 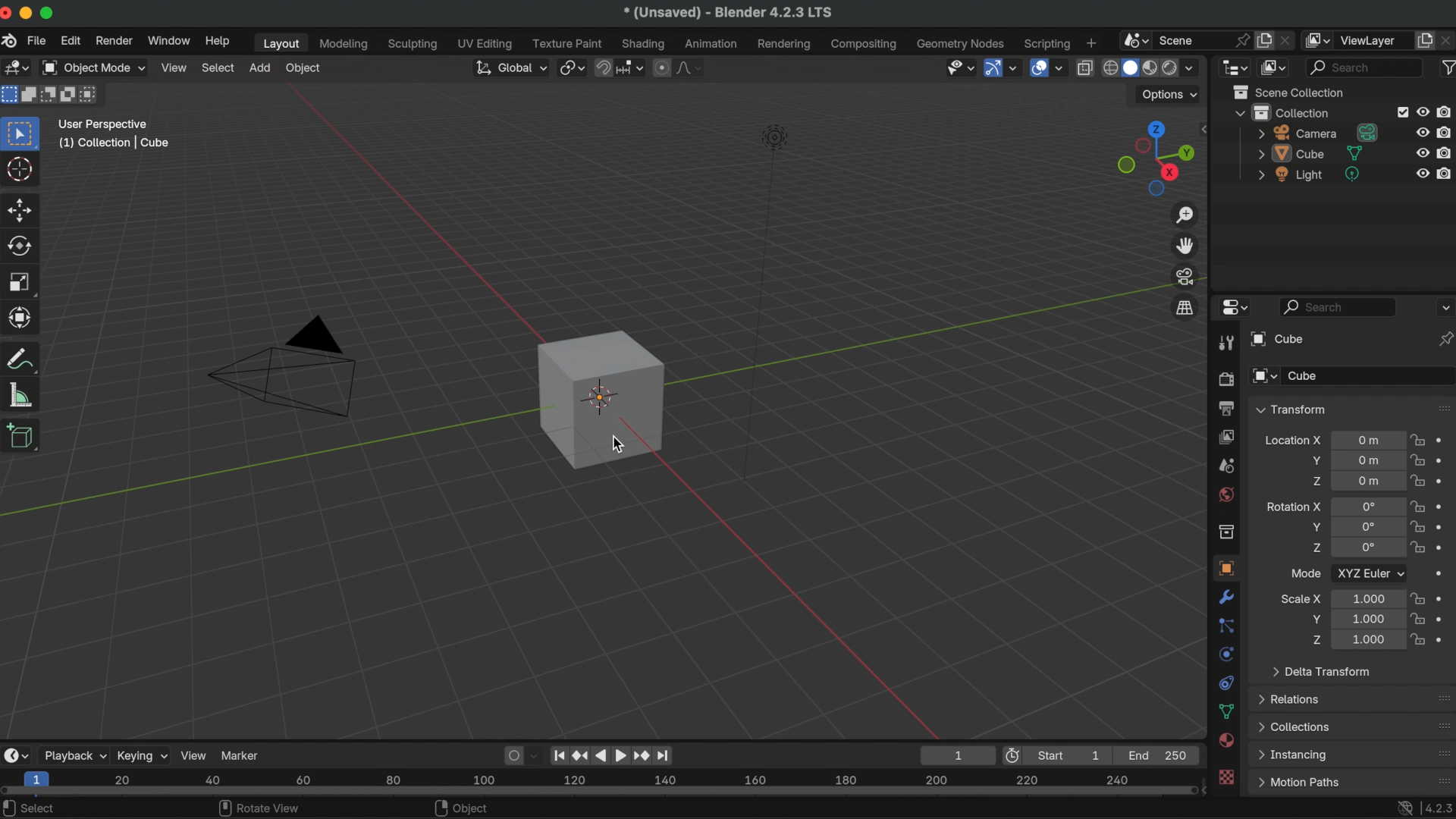 What do you see at coordinates (1439, 778) in the screenshot?
I see `drag handles` at bounding box center [1439, 778].